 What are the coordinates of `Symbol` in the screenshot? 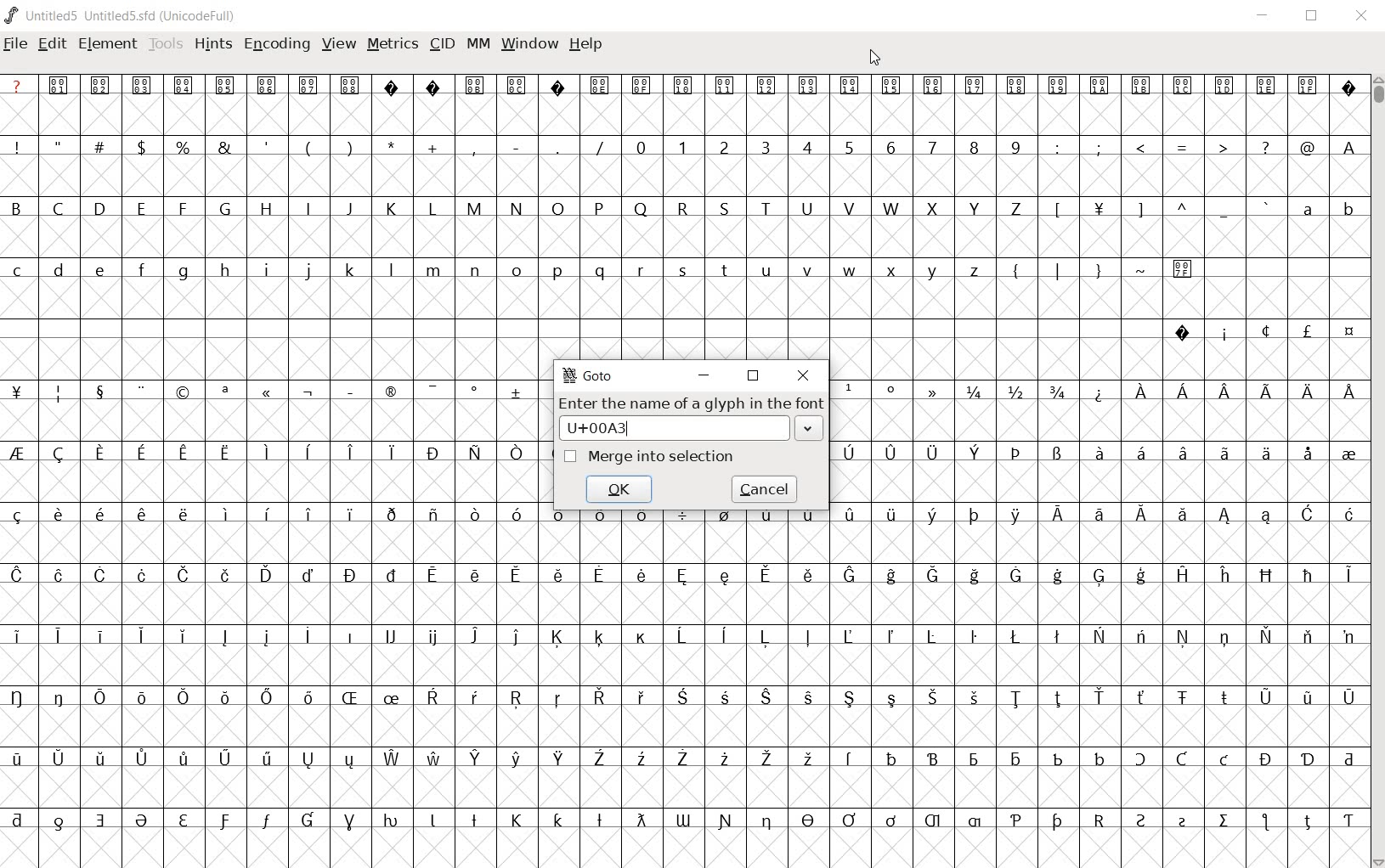 It's located at (267, 394).